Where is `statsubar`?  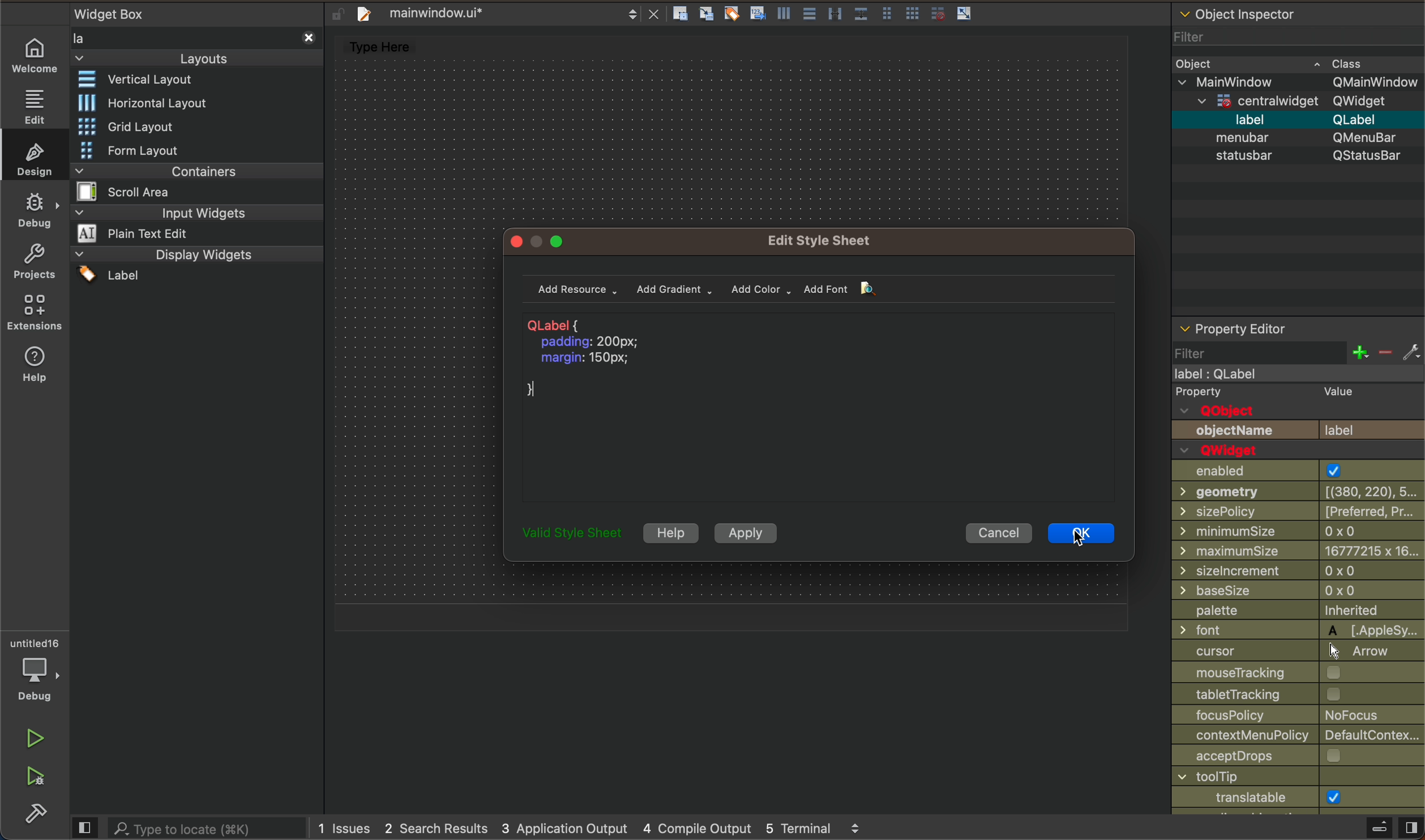 statsubar is located at coordinates (1296, 156).